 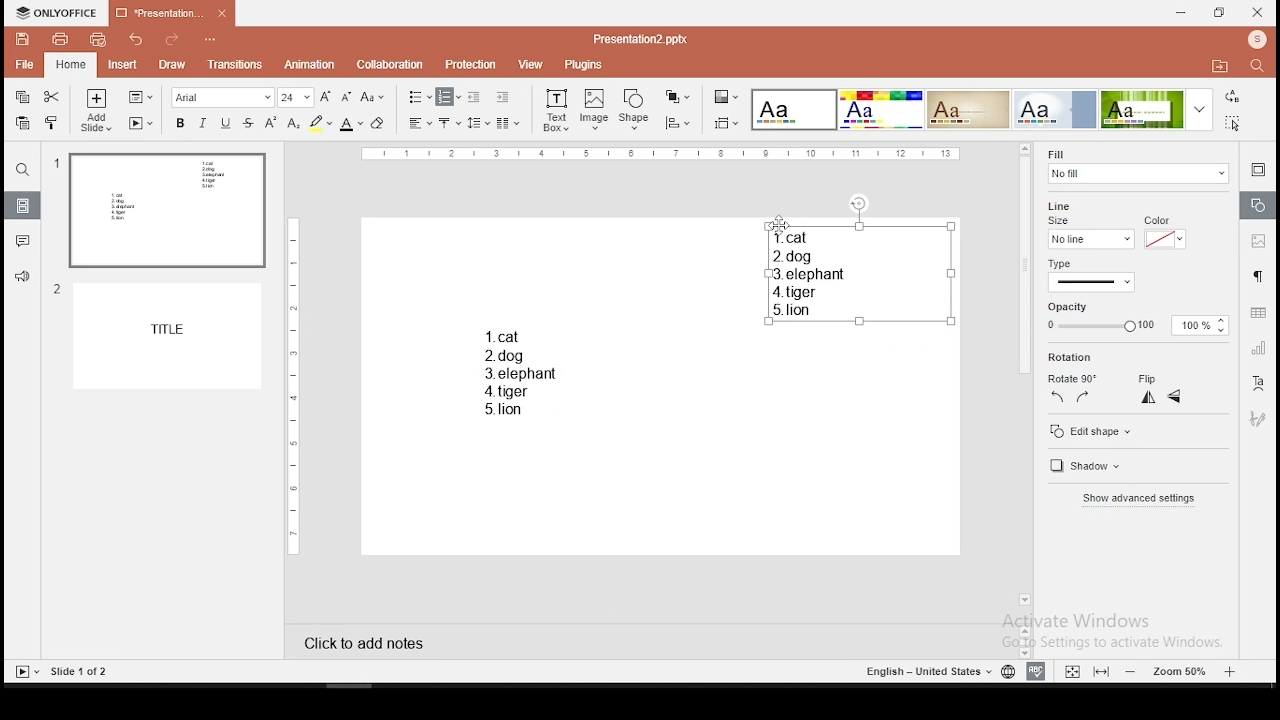 What do you see at coordinates (479, 122) in the screenshot?
I see `spacing` at bounding box center [479, 122].